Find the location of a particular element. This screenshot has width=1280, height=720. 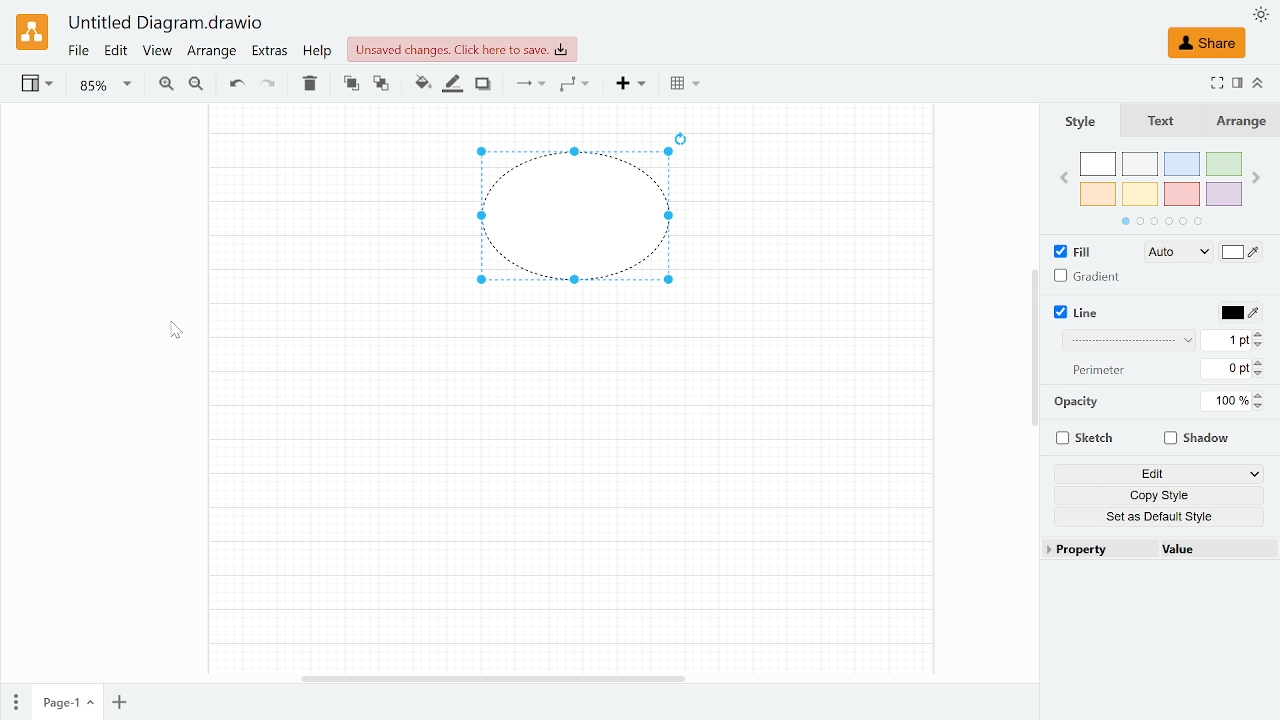

File is located at coordinates (78, 51).